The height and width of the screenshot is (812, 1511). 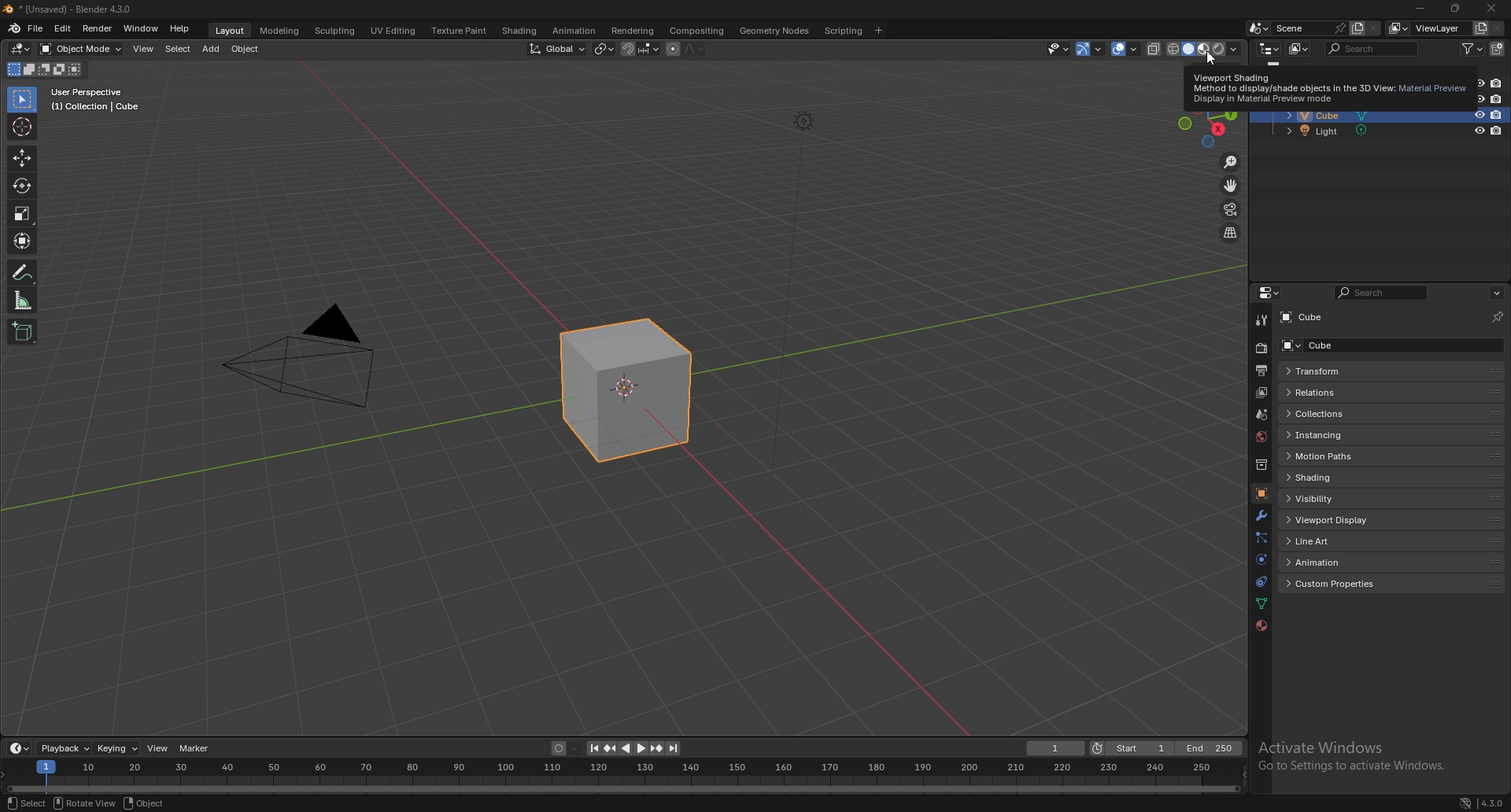 I want to click on edit, so click(x=62, y=29).